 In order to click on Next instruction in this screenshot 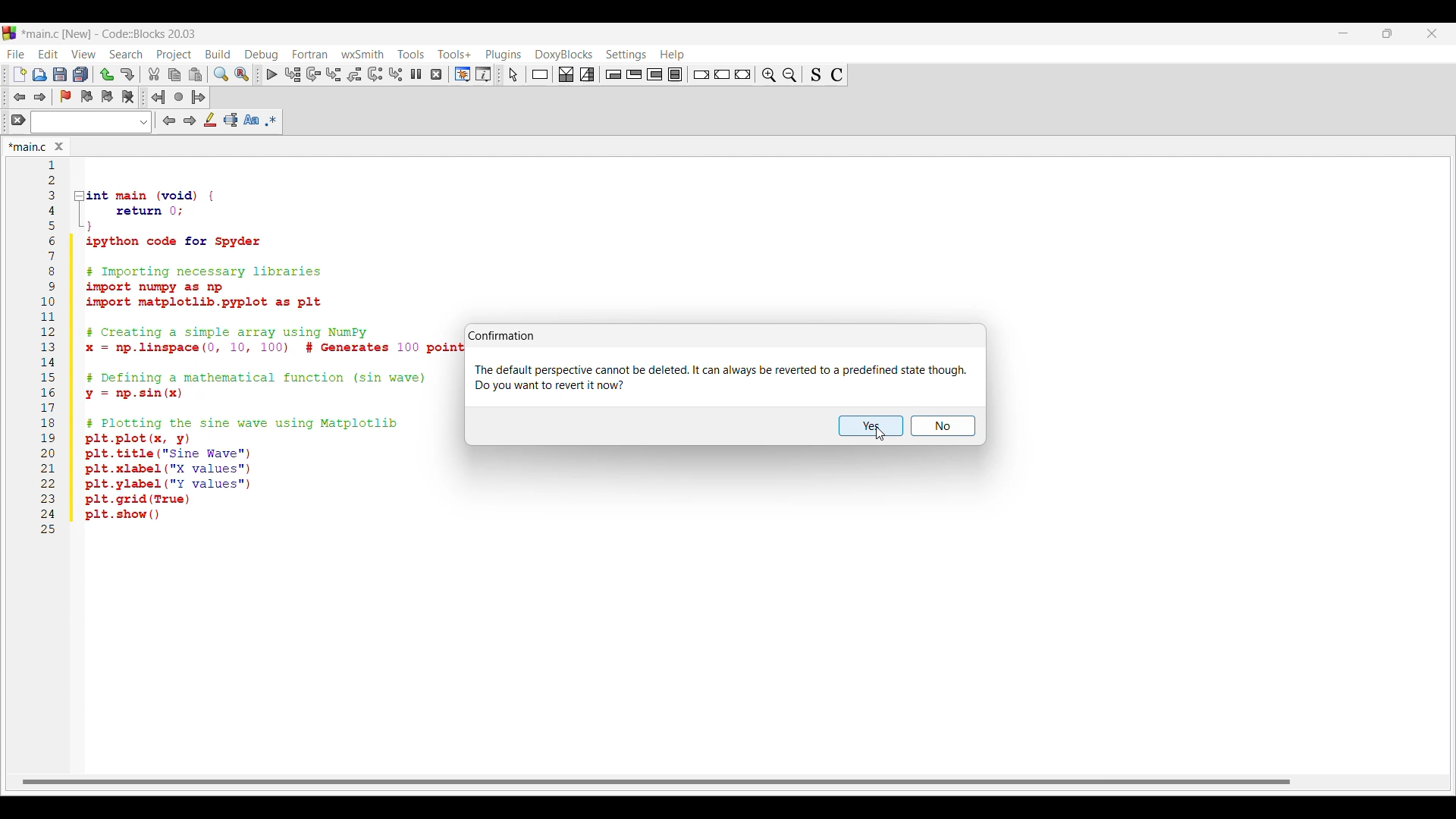, I will do `click(375, 74)`.